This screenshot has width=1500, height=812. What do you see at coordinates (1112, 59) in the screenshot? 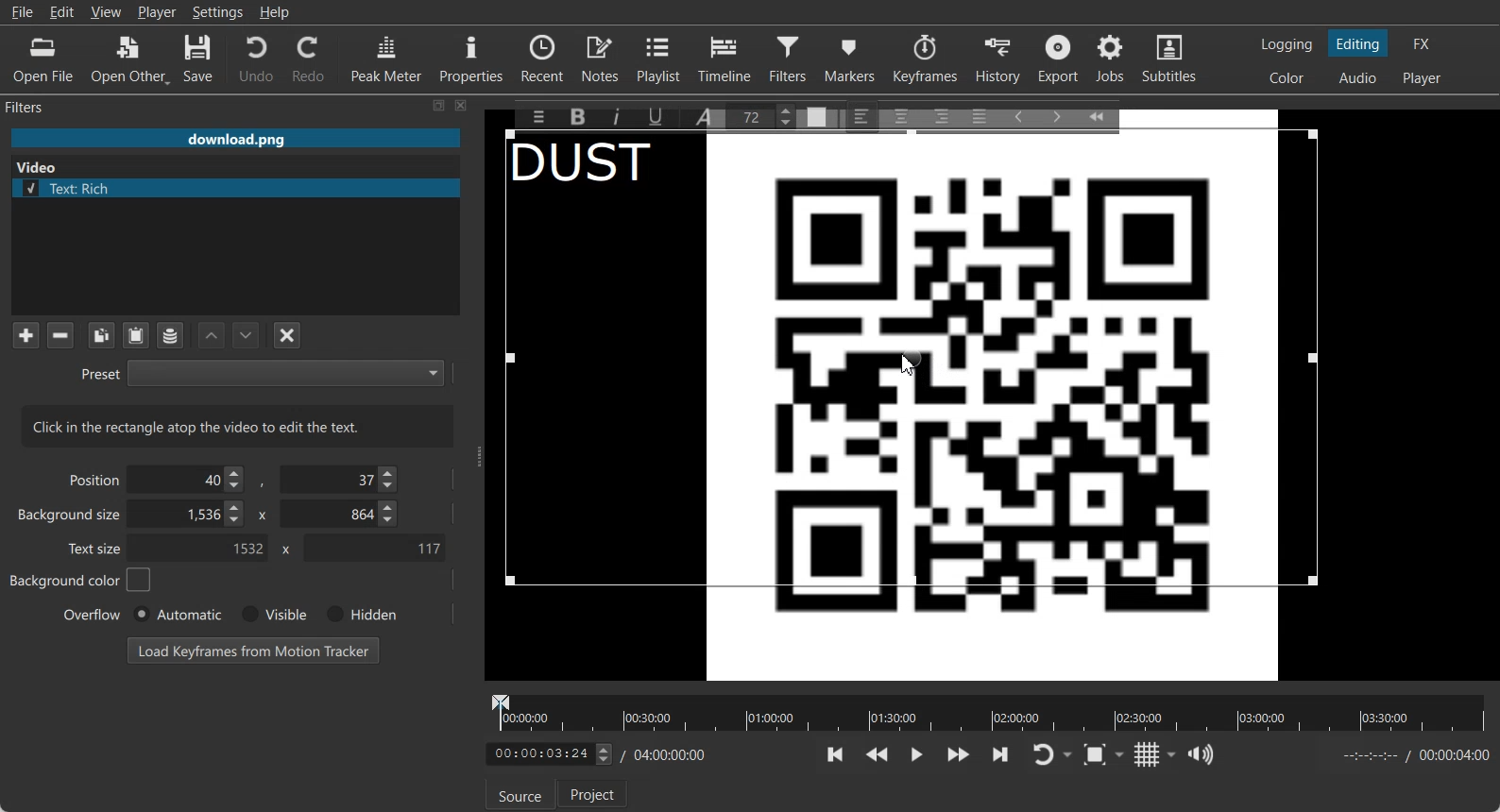
I see `Jobs` at bounding box center [1112, 59].